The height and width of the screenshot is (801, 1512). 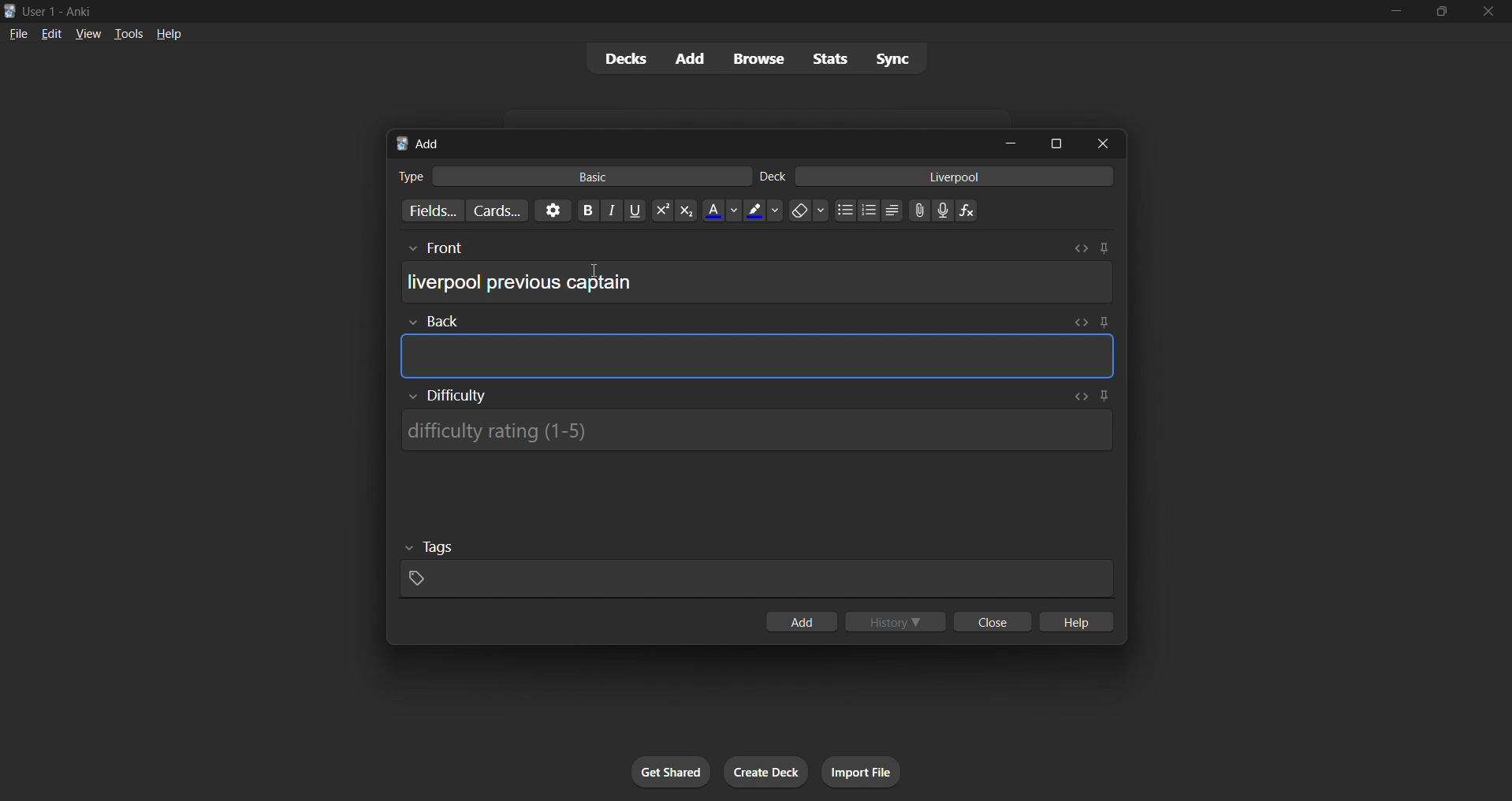 What do you see at coordinates (1108, 143) in the screenshot?
I see `close` at bounding box center [1108, 143].